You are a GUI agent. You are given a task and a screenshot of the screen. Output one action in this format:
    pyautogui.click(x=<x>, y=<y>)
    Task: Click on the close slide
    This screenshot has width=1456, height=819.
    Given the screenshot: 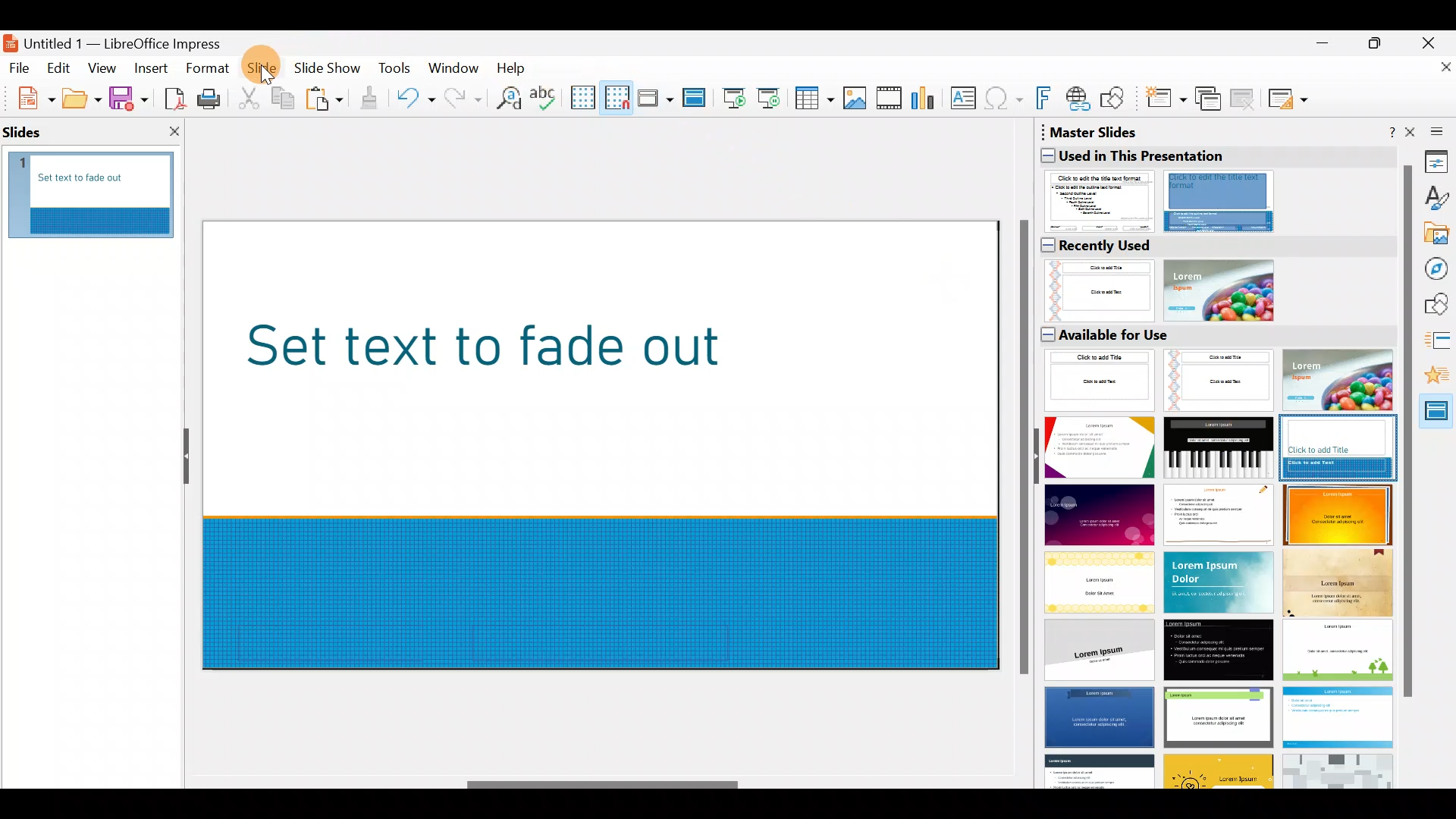 What is the action you would take?
    pyautogui.click(x=174, y=130)
    